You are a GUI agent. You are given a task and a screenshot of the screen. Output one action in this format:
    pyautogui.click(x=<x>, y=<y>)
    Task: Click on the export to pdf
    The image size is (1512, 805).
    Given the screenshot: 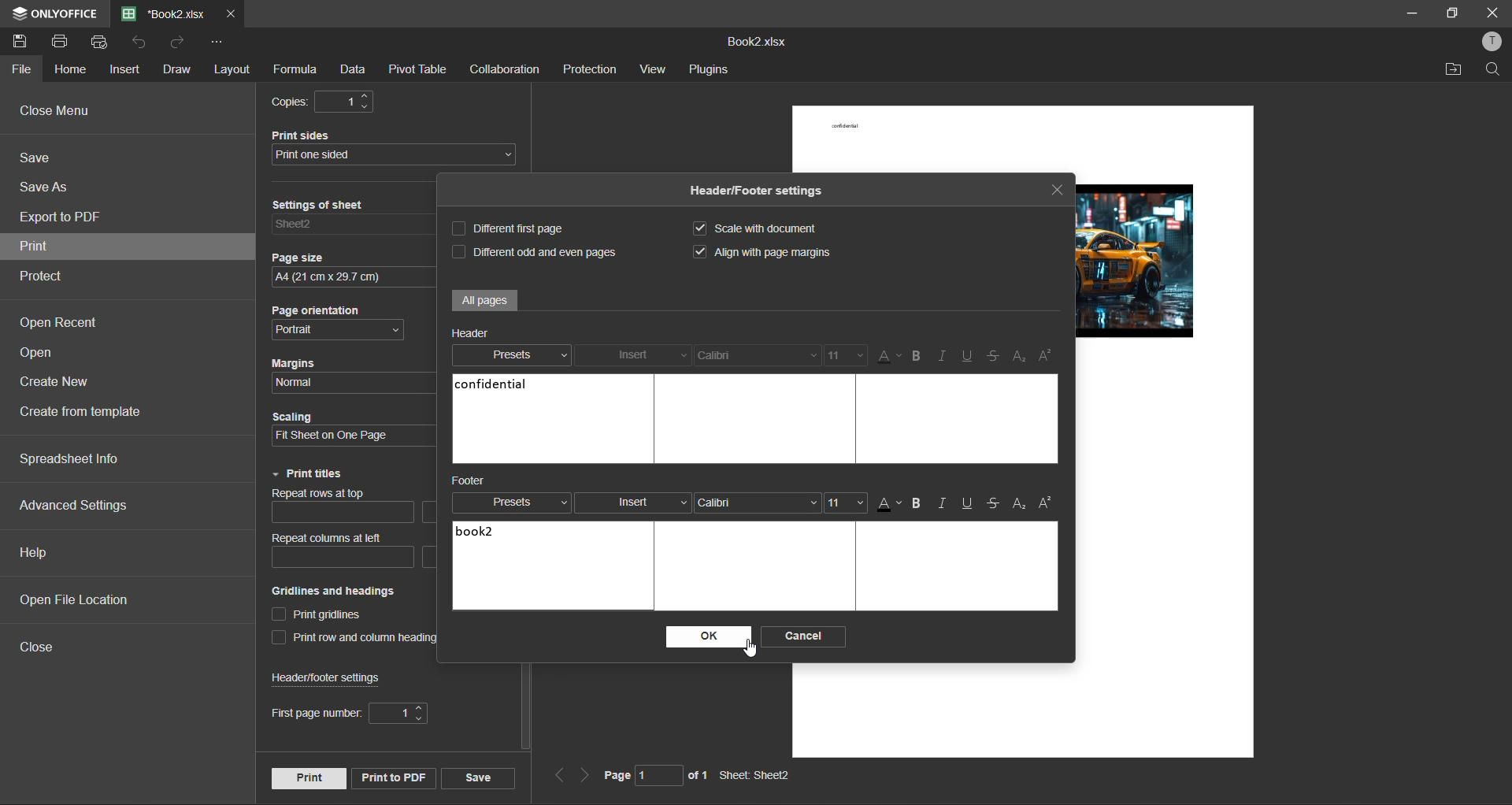 What is the action you would take?
    pyautogui.click(x=65, y=215)
    